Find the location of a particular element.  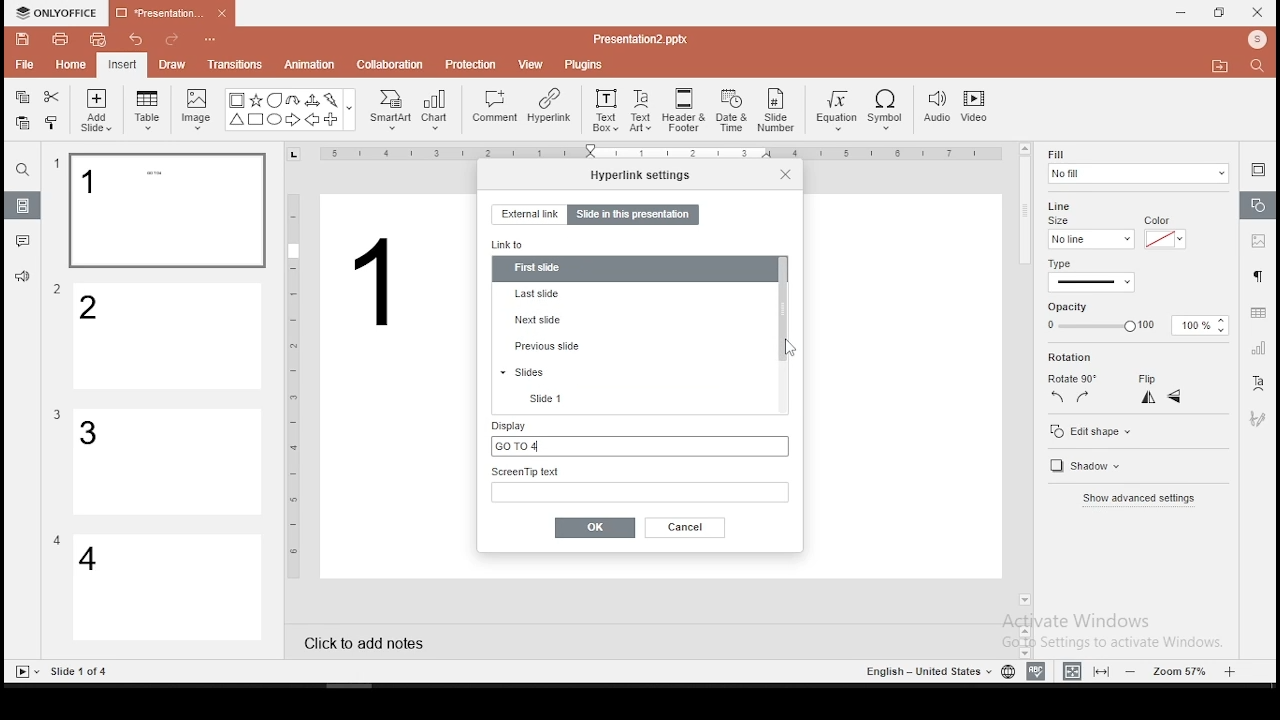

 slide 1 is located at coordinates (554, 397).